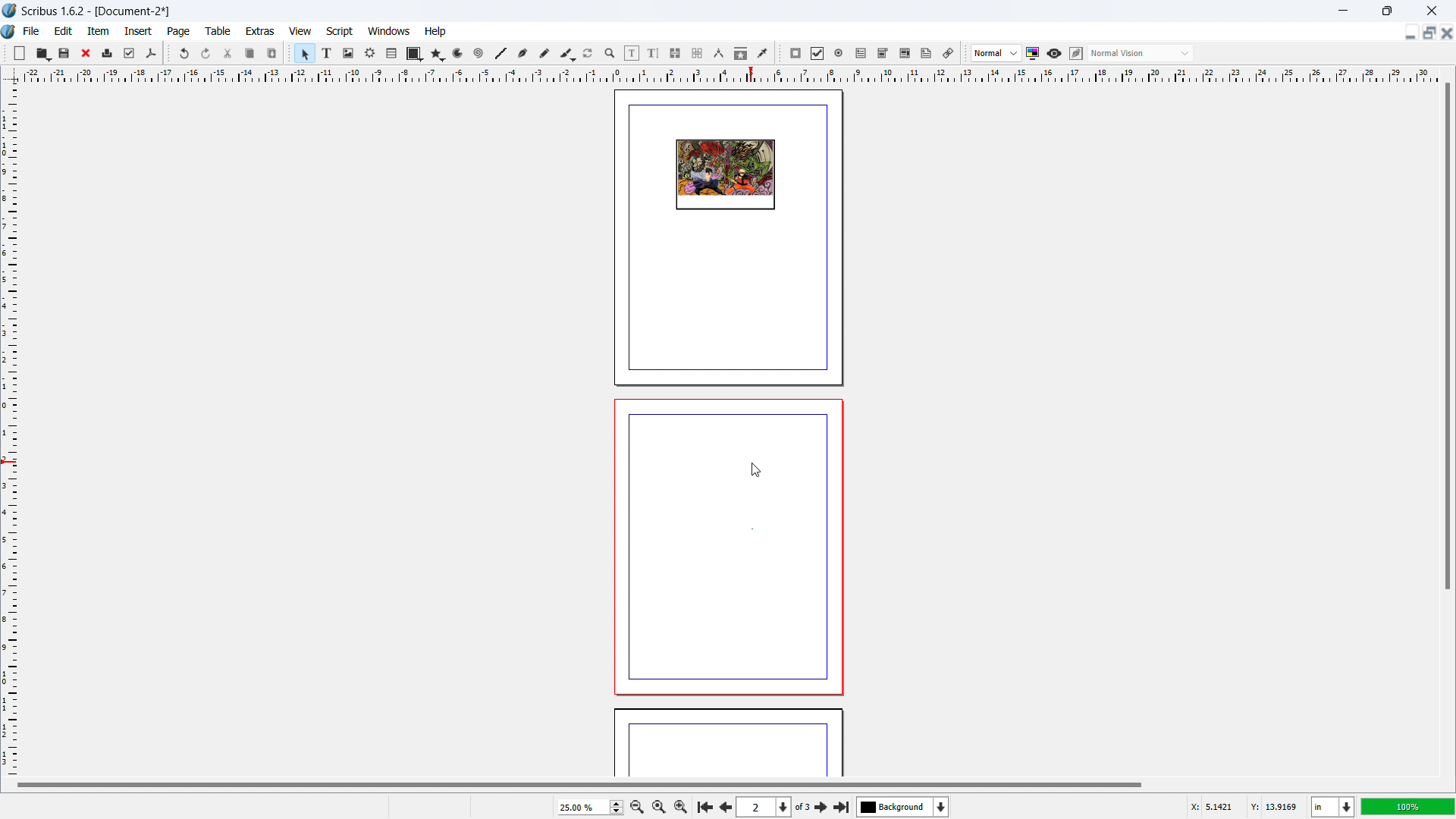 Image resolution: width=1456 pixels, height=819 pixels. What do you see at coordinates (1385, 11) in the screenshot?
I see `maximize window` at bounding box center [1385, 11].